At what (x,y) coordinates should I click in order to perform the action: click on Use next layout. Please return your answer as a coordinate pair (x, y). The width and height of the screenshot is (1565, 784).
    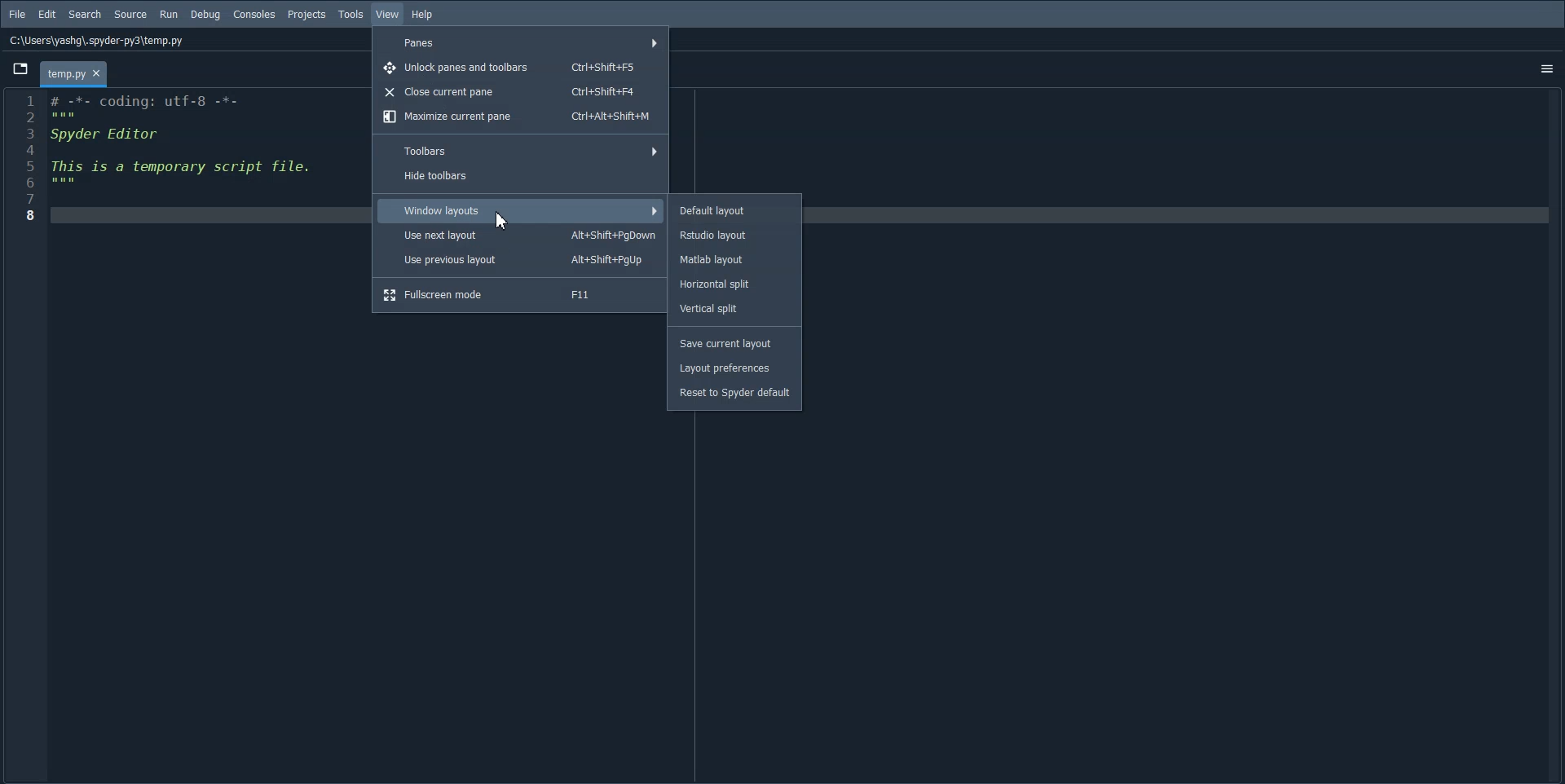
    Looking at the image, I should click on (521, 236).